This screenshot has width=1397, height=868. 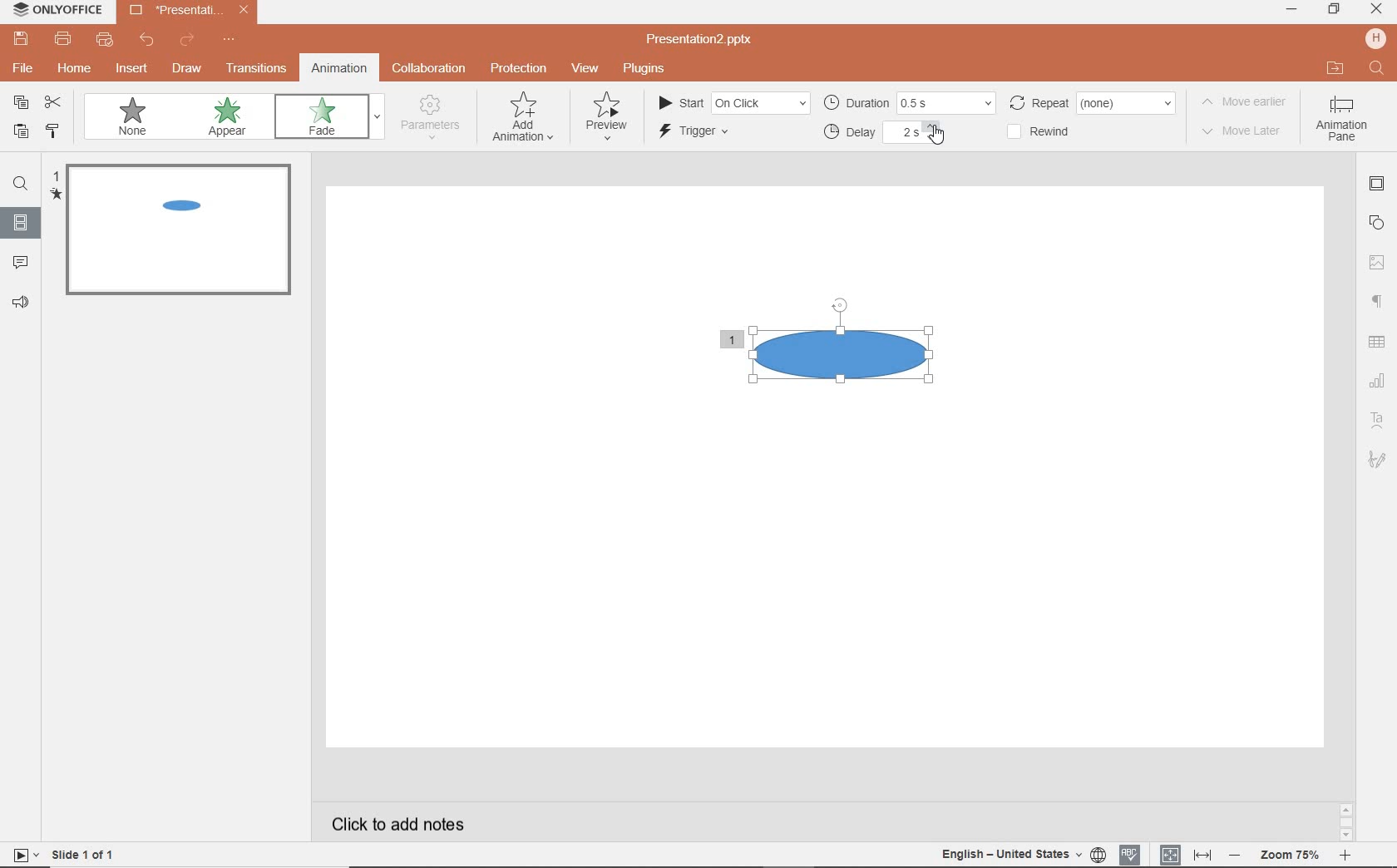 I want to click on transitions, so click(x=256, y=69).